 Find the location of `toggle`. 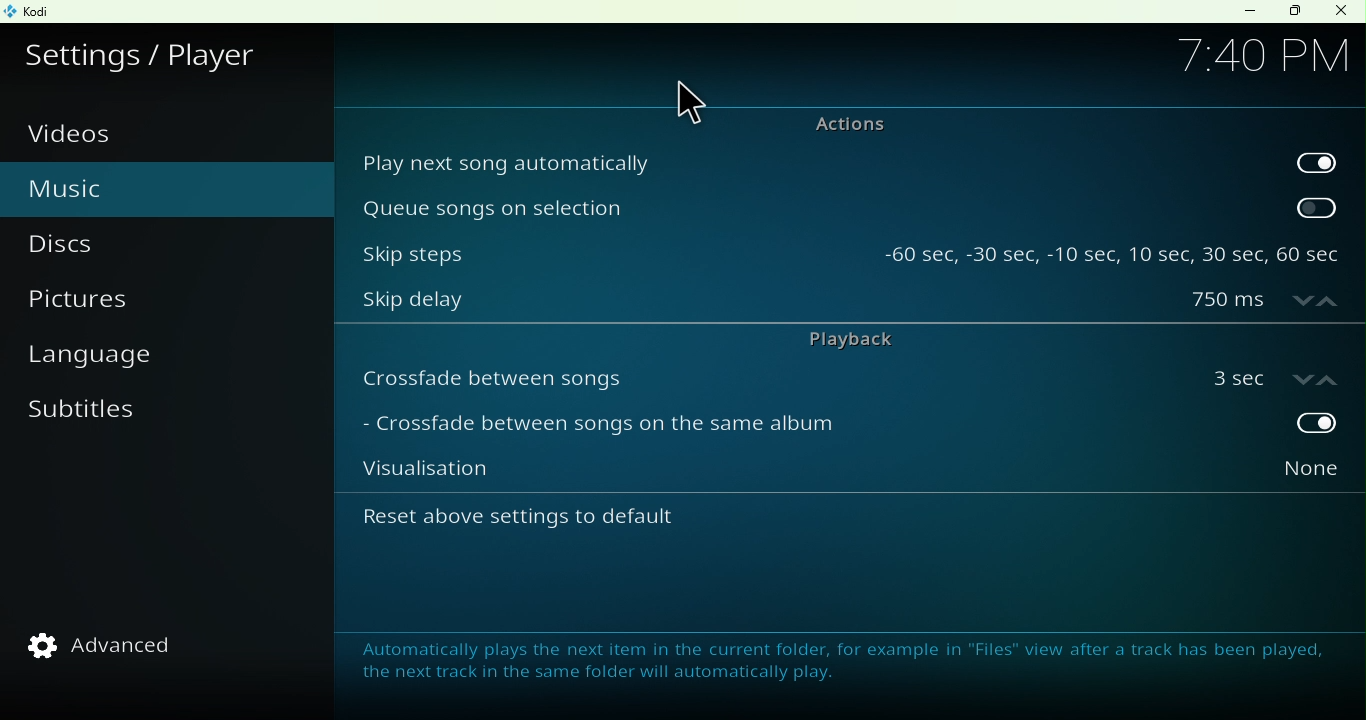

toggle is located at coordinates (1269, 425).